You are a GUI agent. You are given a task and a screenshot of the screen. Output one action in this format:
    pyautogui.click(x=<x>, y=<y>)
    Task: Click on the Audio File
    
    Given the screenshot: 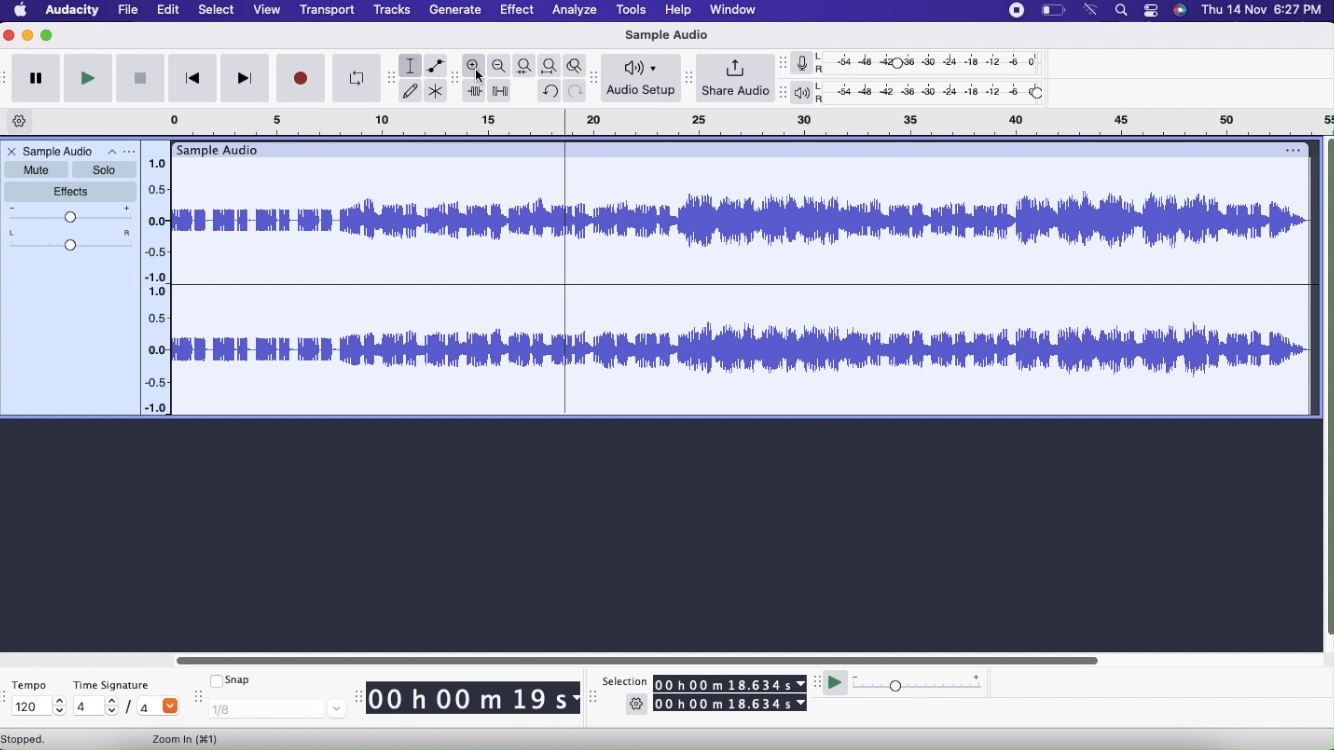 What is the action you would take?
    pyautogui.click(x=740, y=286)
    